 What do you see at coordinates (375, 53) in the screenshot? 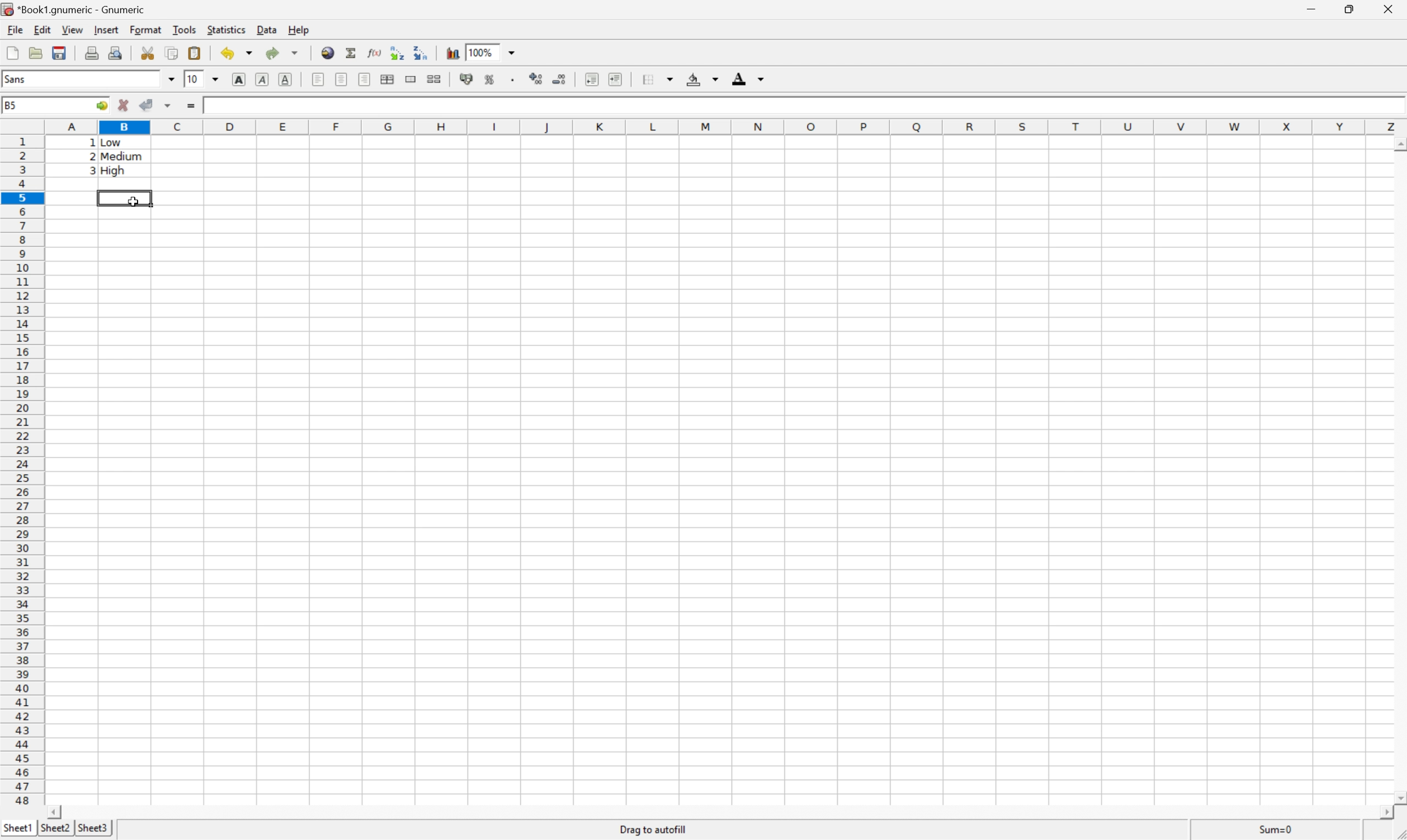
I see `Edit function in current cell` at bounding box center [375, 53].